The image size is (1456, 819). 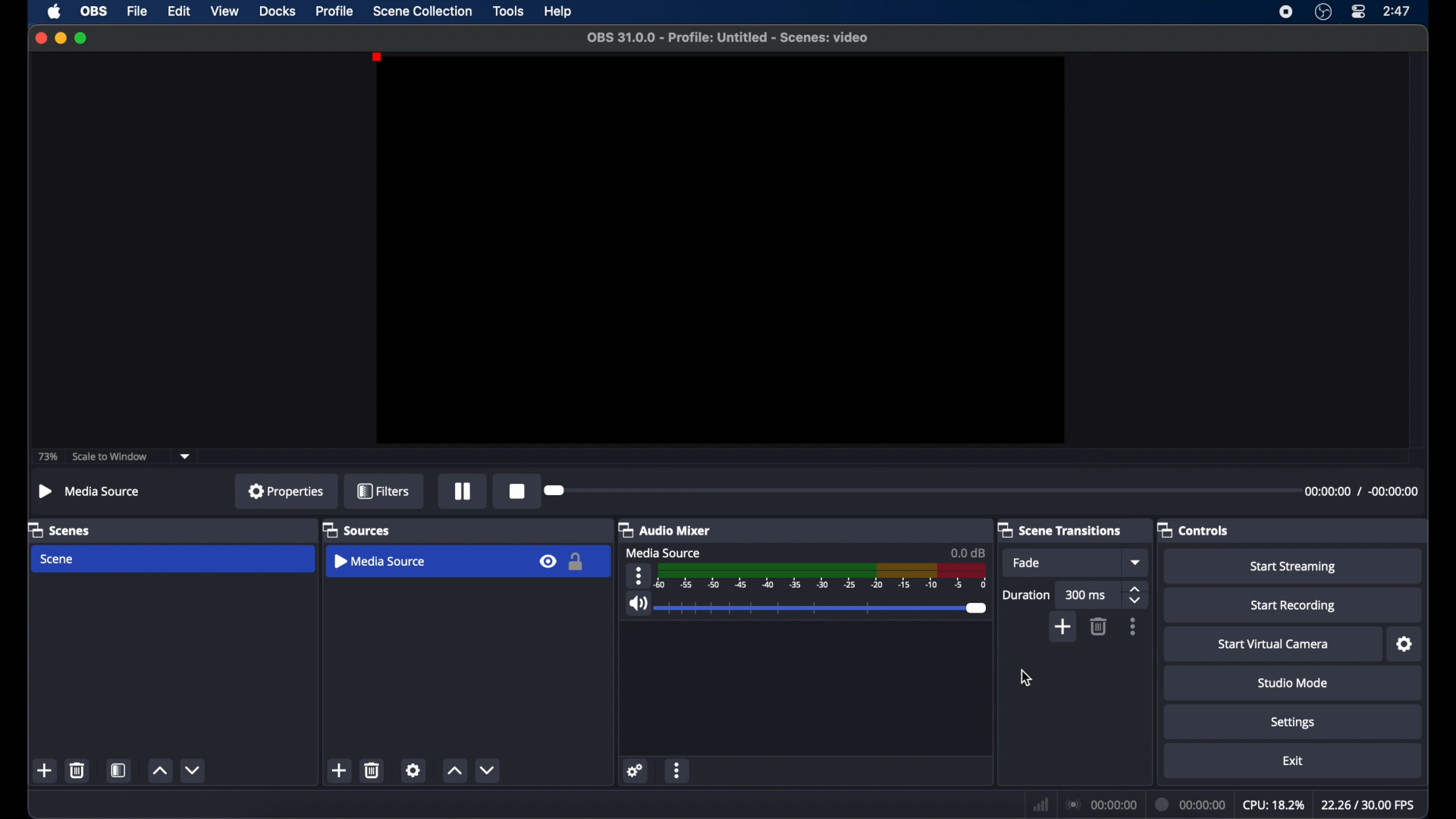 What do you see at coordinates (49, 457) in the screenshot?
I see `73%` at bounding box center [49, 457].